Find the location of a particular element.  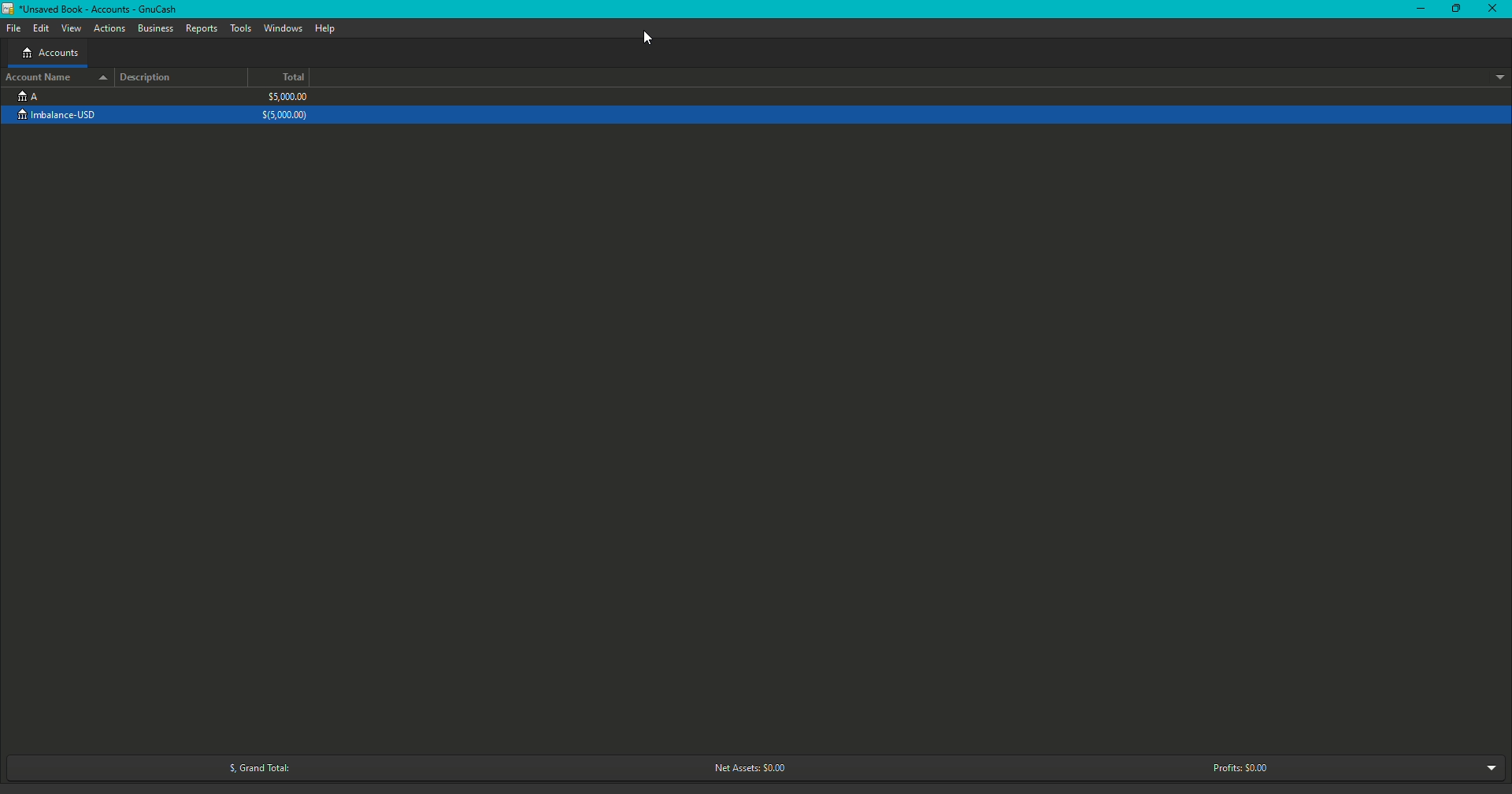

Edit is located at coordinates (41, 29).